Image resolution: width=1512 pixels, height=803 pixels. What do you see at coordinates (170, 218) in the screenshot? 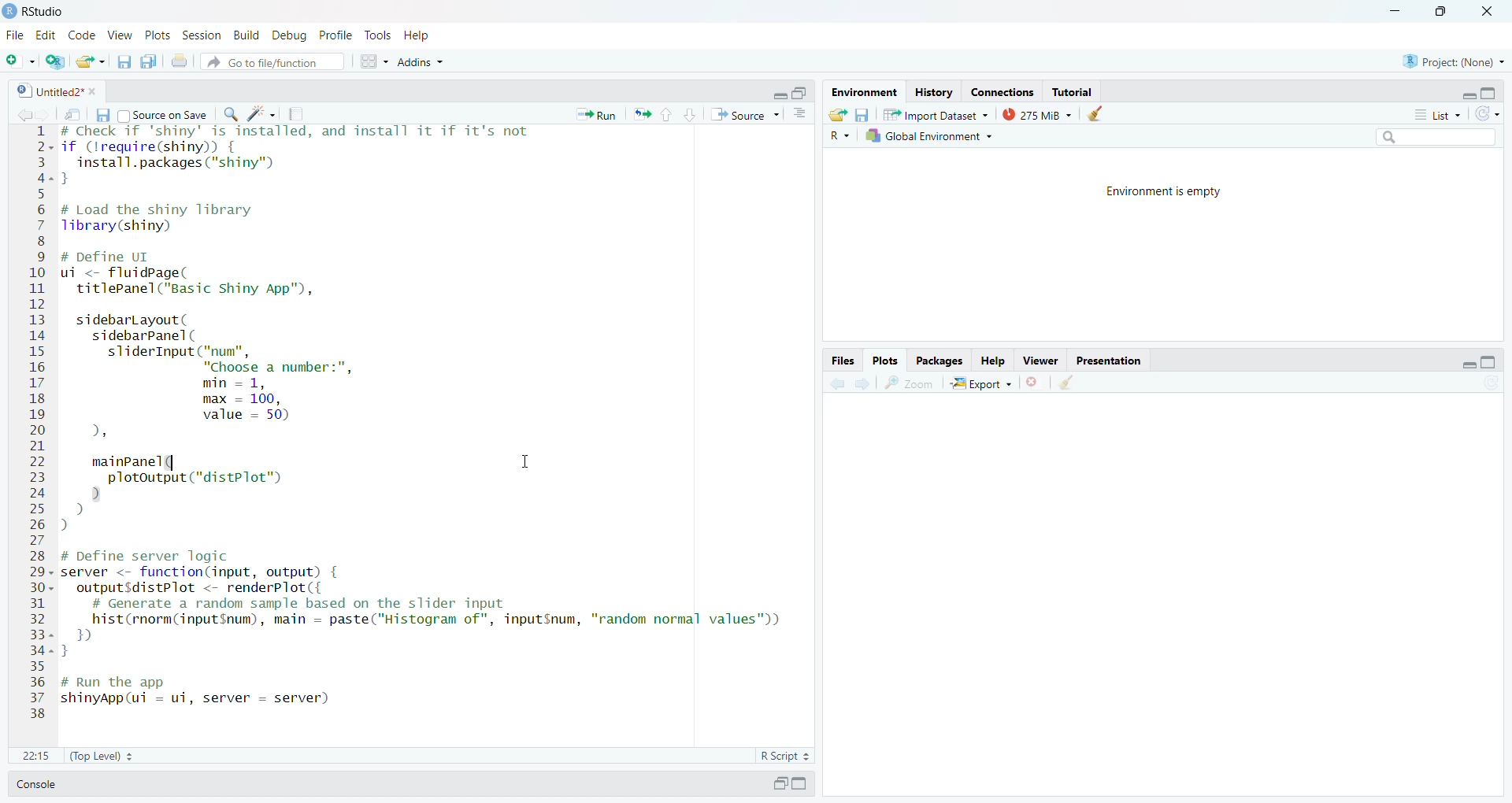
I see `# Load the shiny library library (shiny)` at bounding box center [170, 218].